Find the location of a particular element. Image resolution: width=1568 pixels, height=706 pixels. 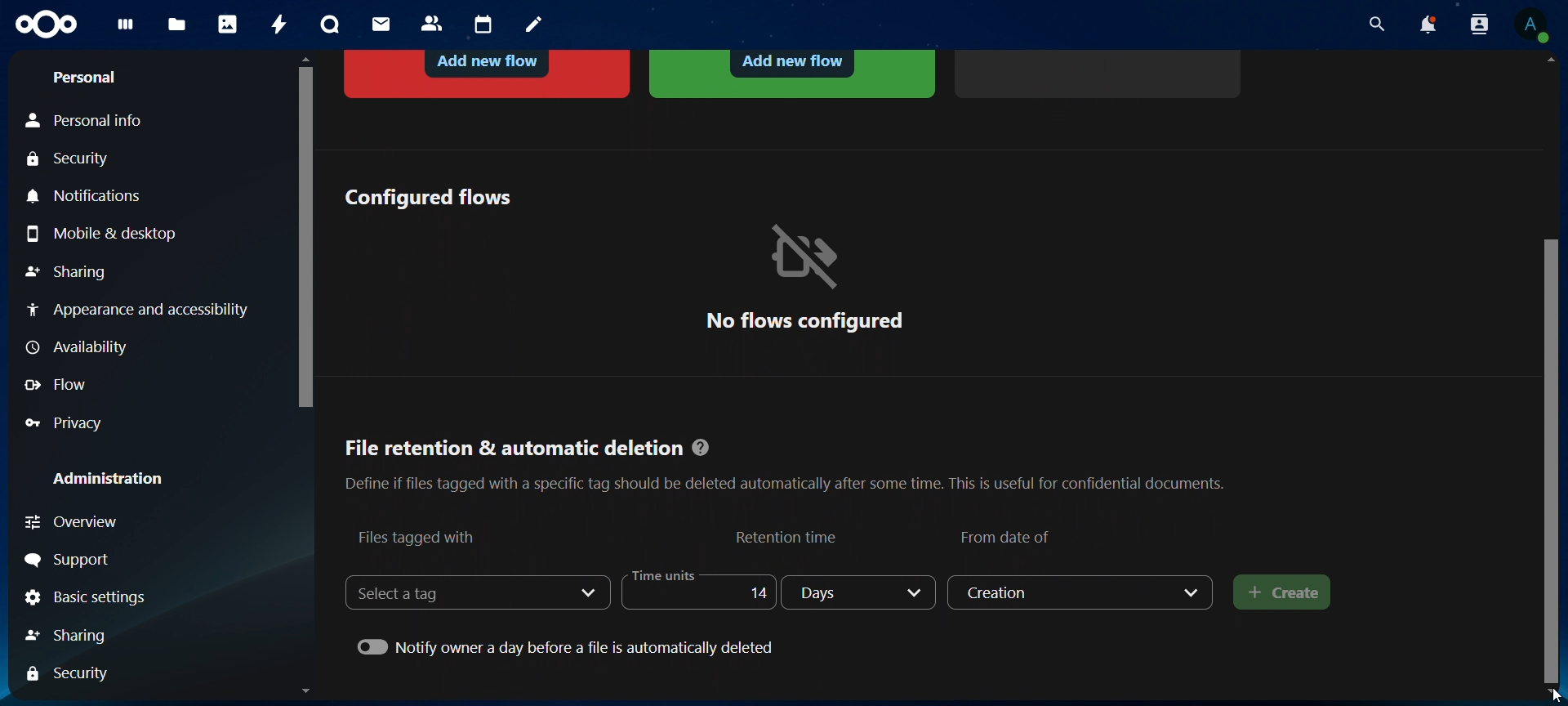

days is located at coordinates (861, 593).